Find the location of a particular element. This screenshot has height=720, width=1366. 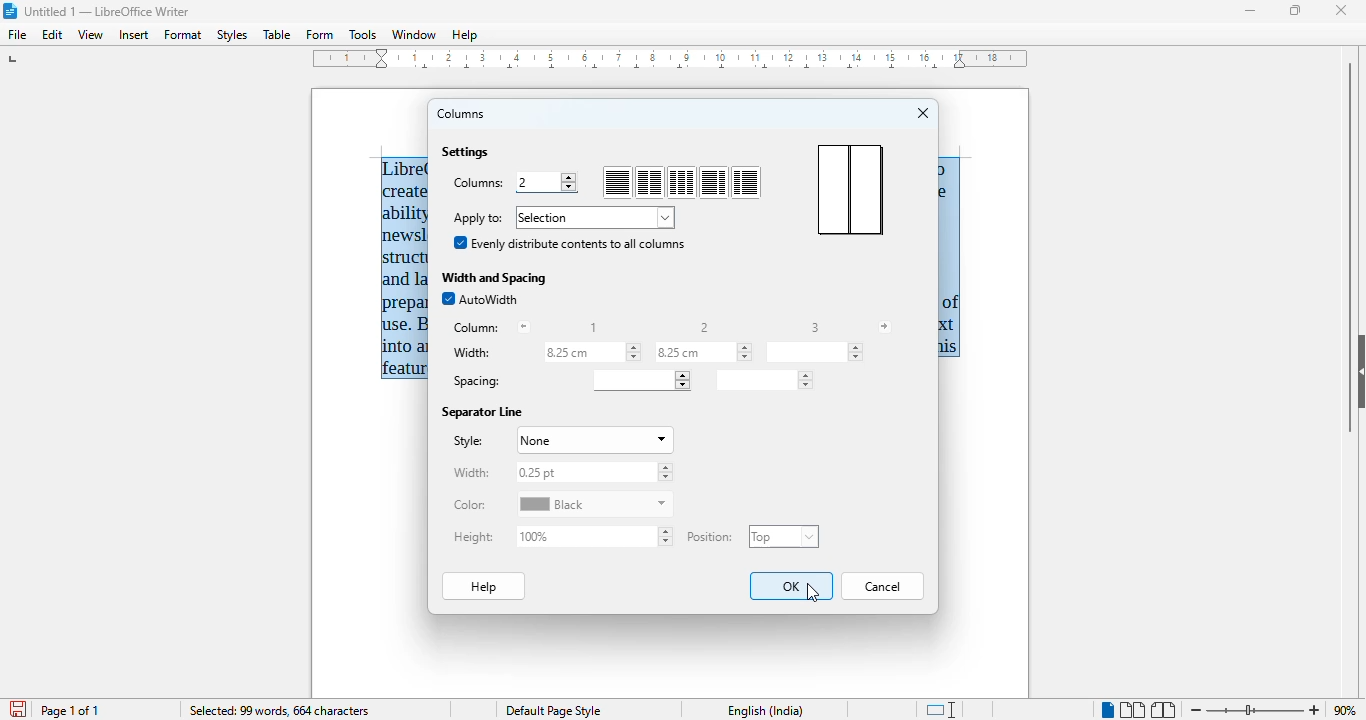

zoom out is located at coordinates (1197, 709).